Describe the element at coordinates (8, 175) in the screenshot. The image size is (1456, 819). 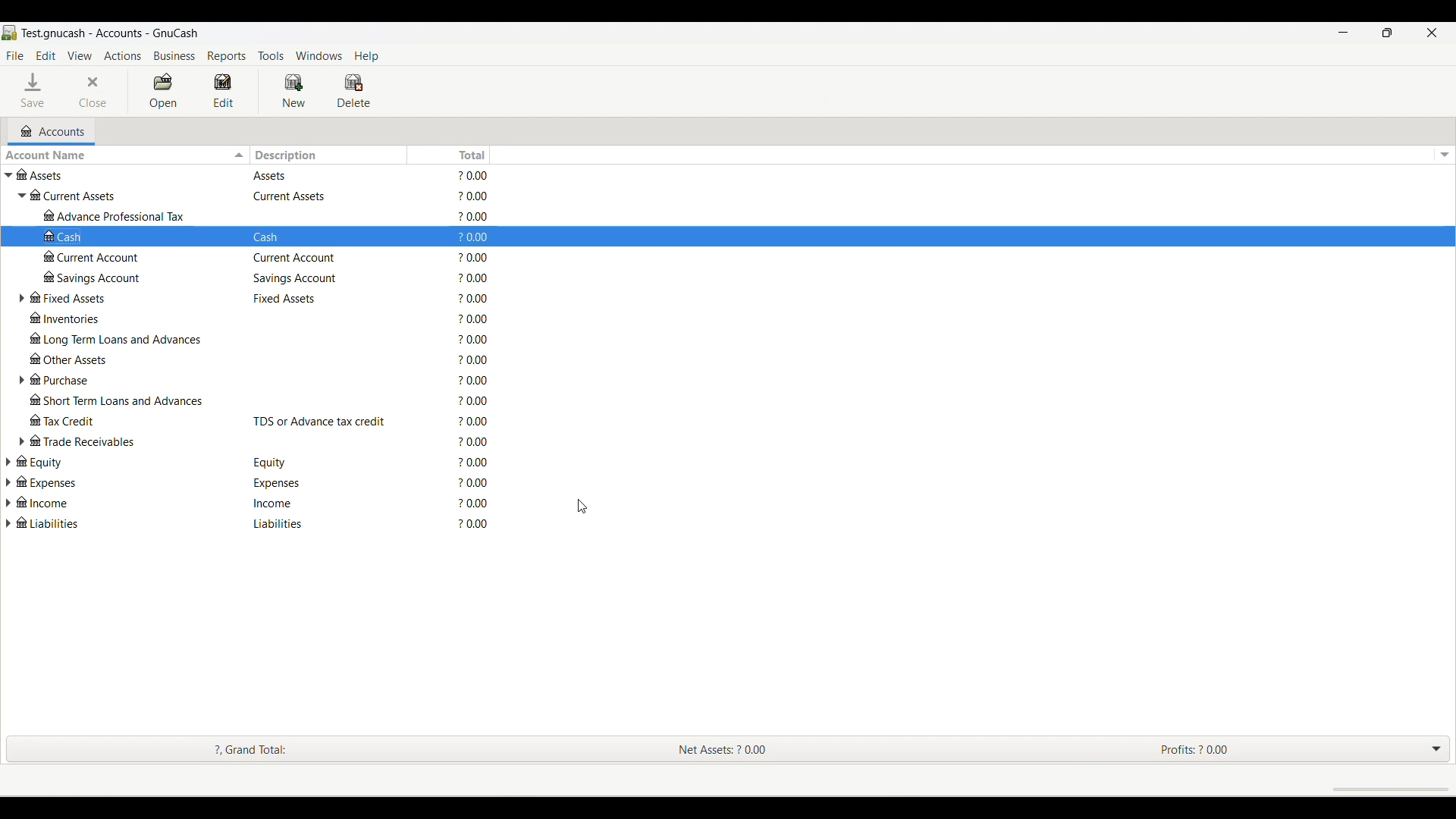
I see `Collapse Assets` at that location.